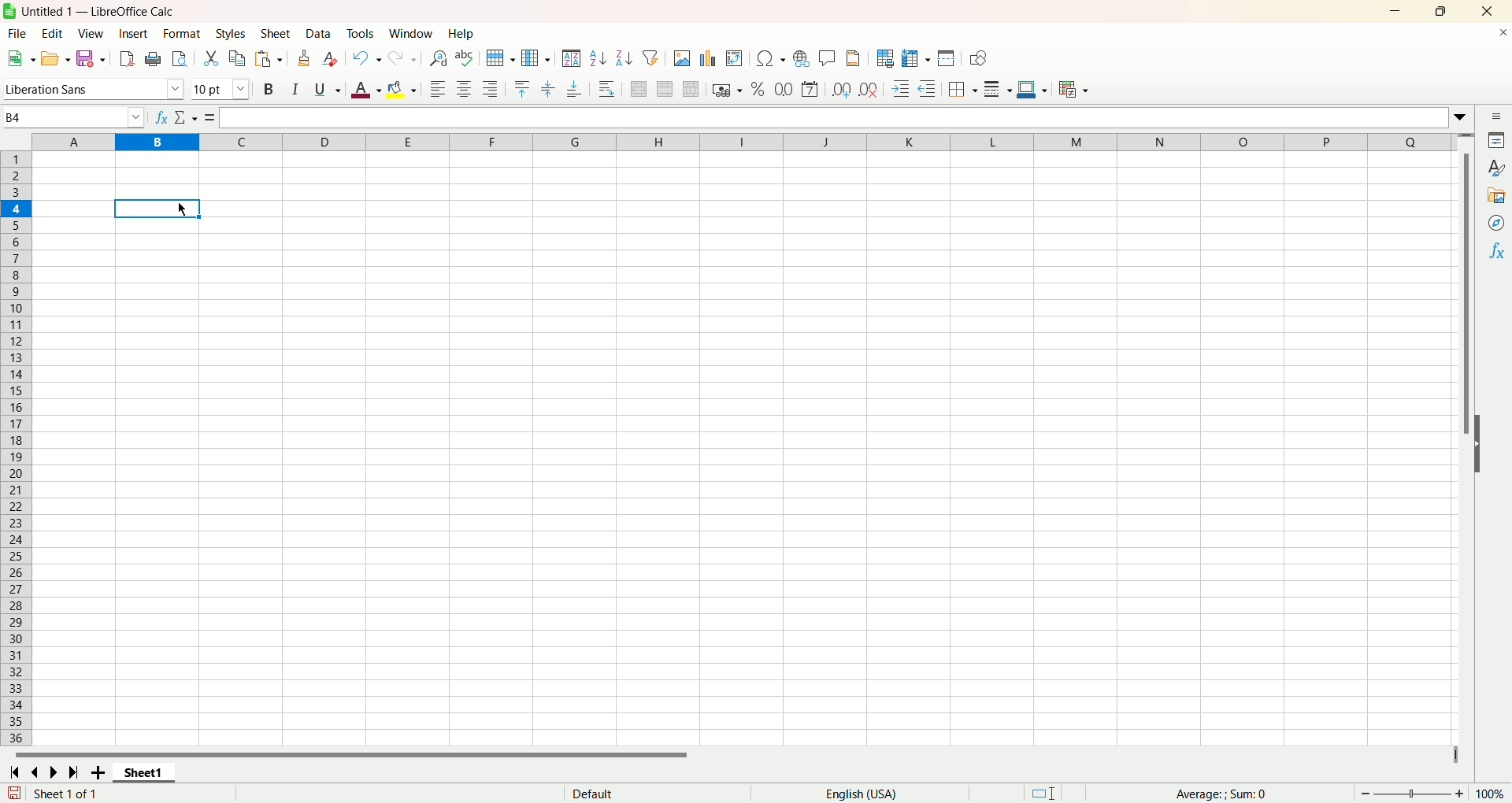 The height and width of the screenshot is (803, 1512). I want to click on select function, so click(184, 117).